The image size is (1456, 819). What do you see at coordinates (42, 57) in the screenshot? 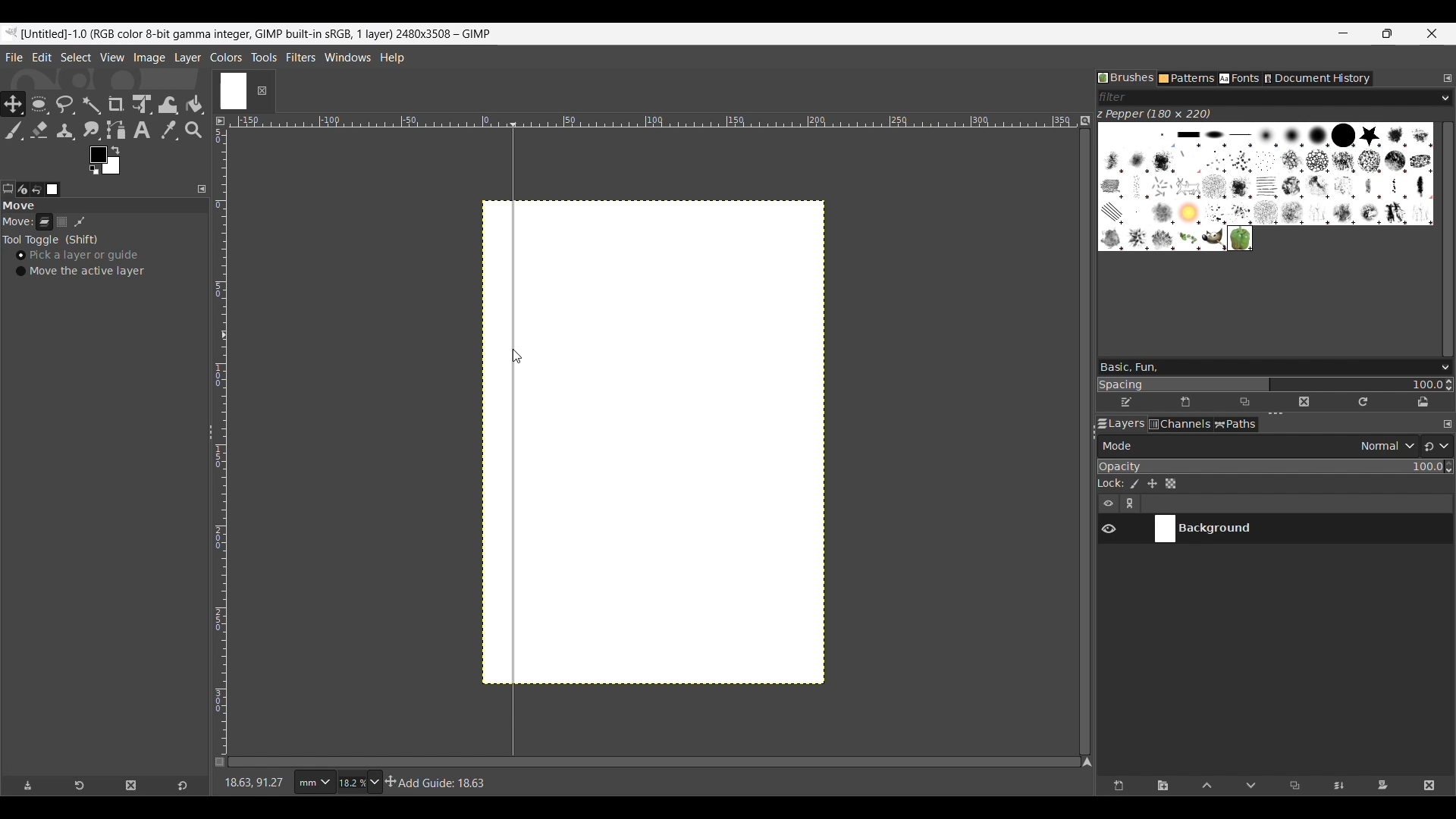
I see `Edit menu` at bounding box center [42, 57].